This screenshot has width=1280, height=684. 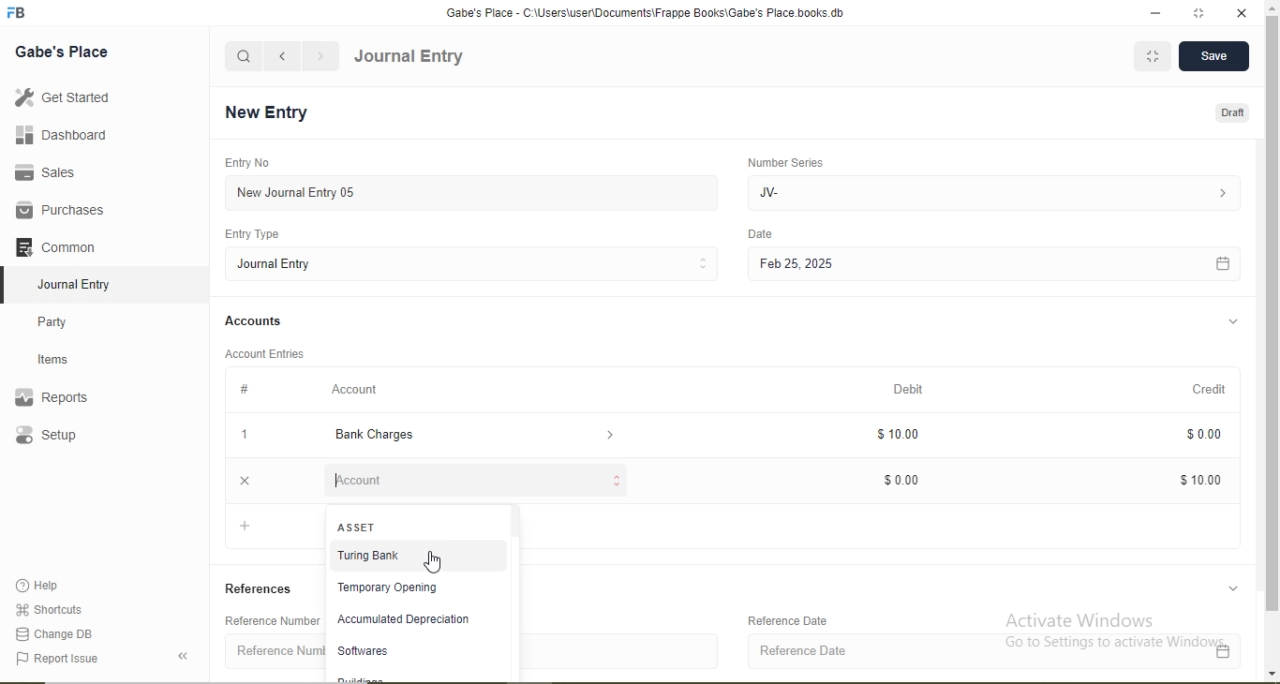 I want to click on Journal Entry, so click(x=409, y=57).